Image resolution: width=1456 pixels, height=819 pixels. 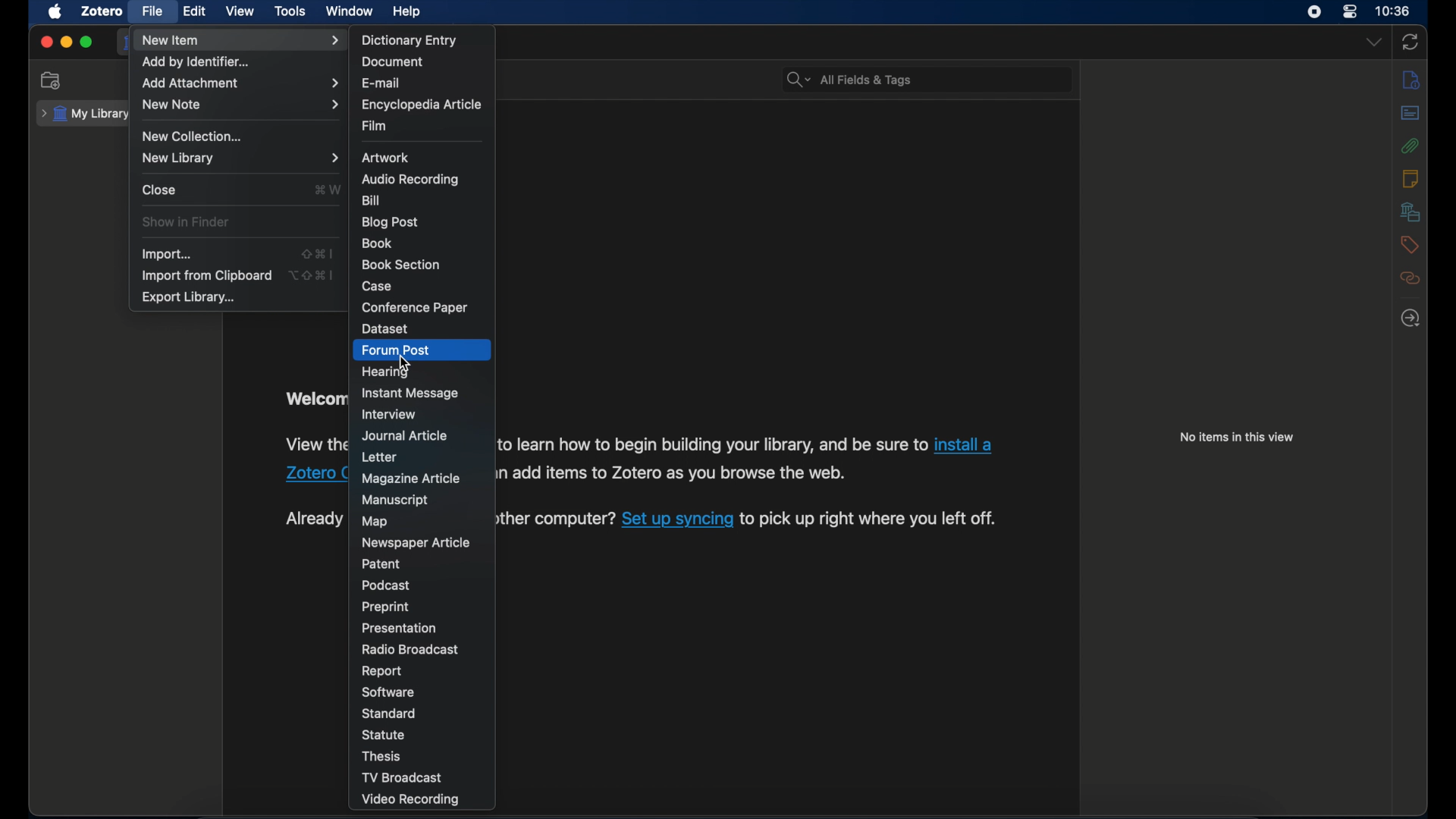 I want to click on instant message, so click(x=410, y=393).